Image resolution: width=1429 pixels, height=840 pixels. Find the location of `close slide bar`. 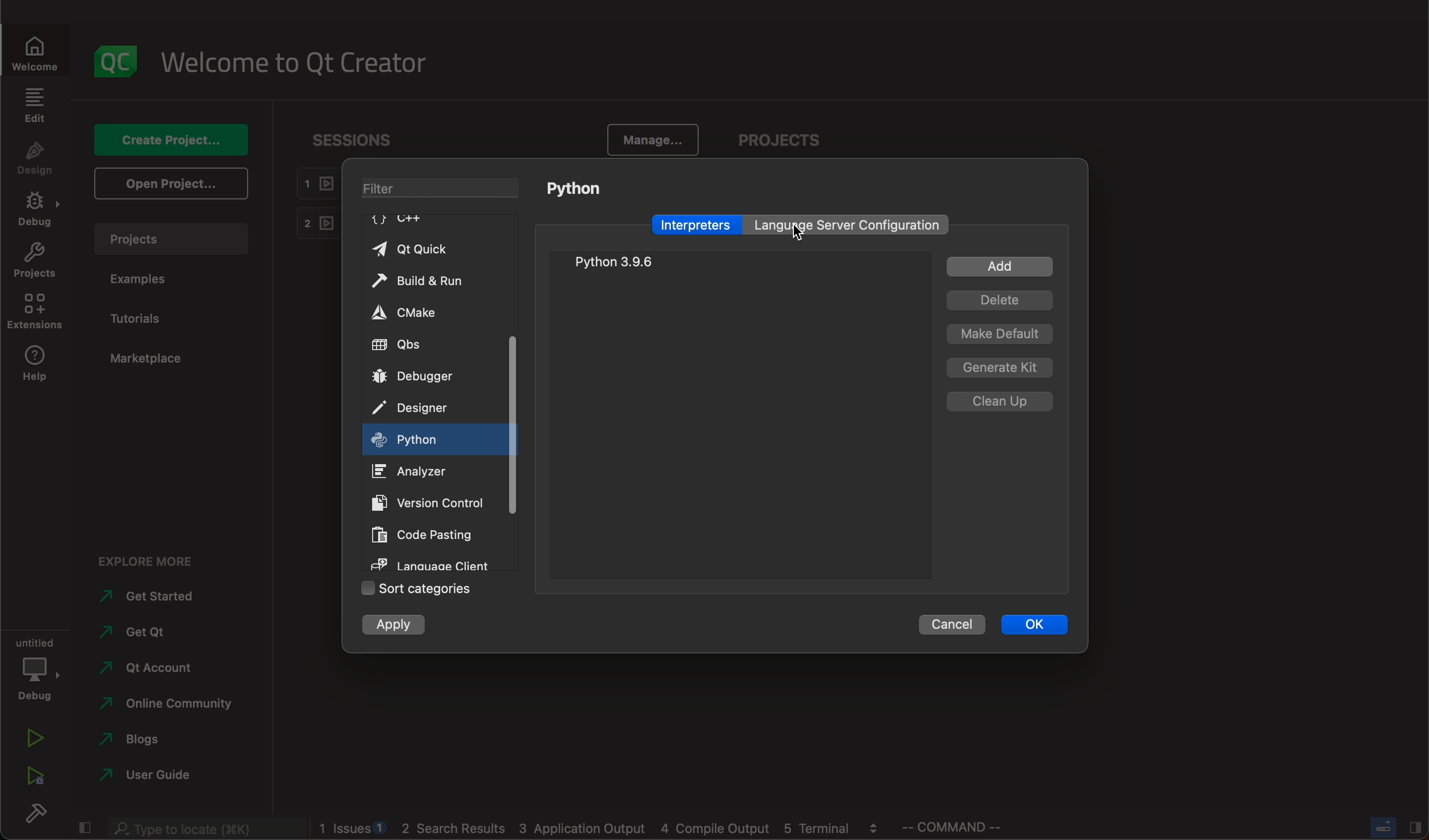

close slide bar is located at coordinates (84, 827).